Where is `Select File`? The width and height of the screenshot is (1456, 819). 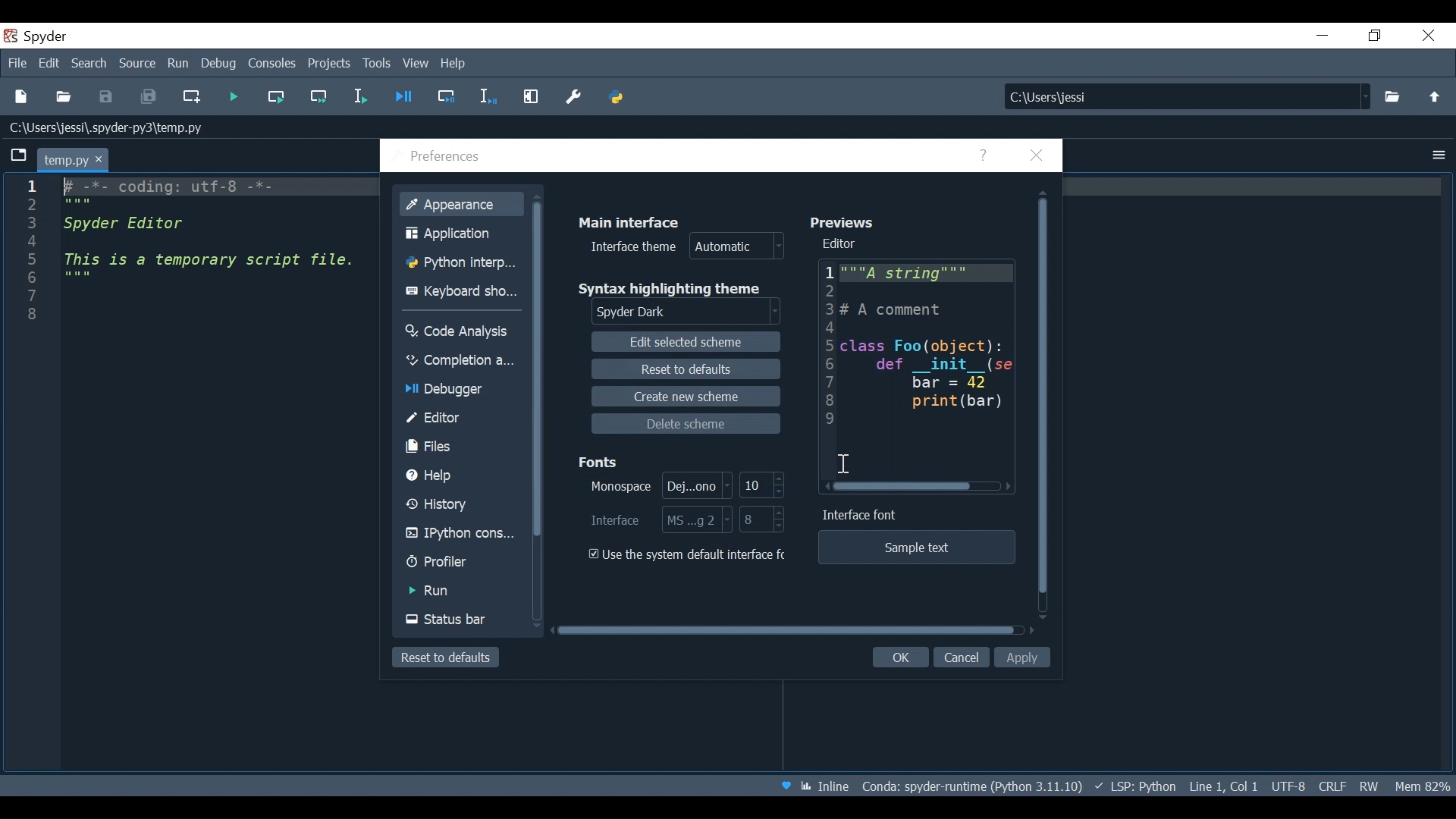 Select File is located at coordinates (1391, 96).